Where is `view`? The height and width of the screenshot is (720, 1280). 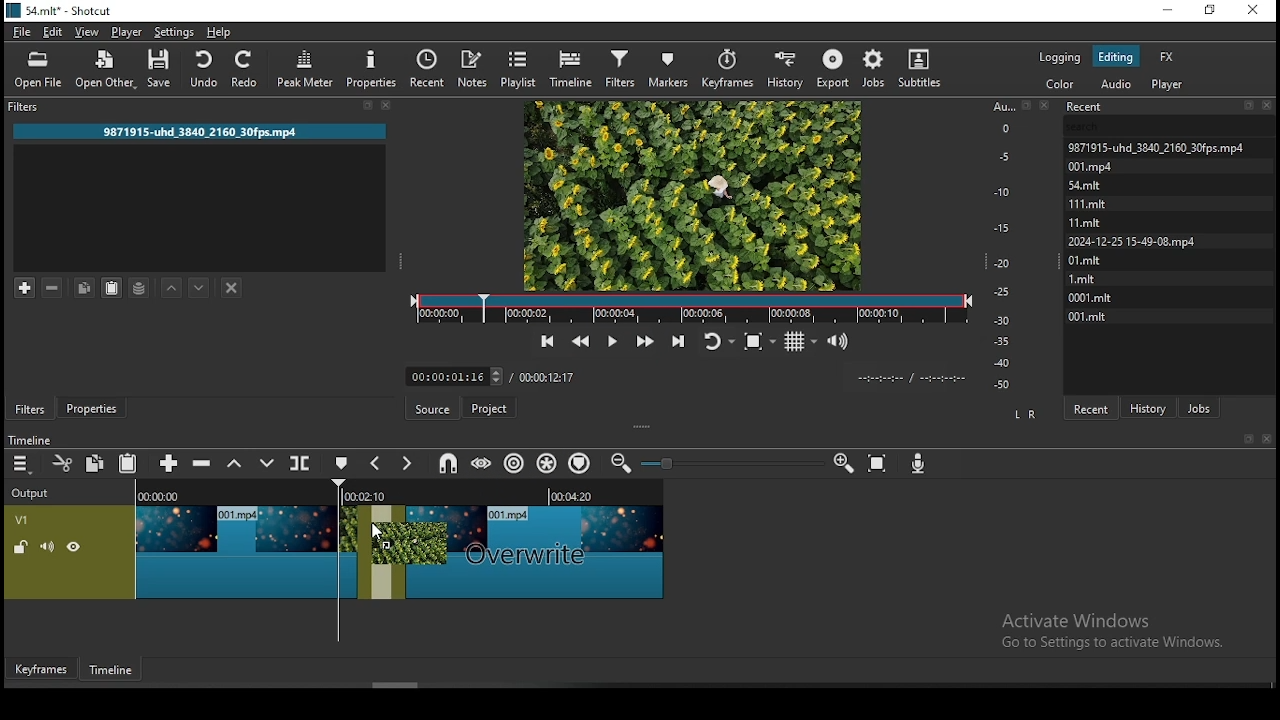 view is located at coordinates (87, 33).